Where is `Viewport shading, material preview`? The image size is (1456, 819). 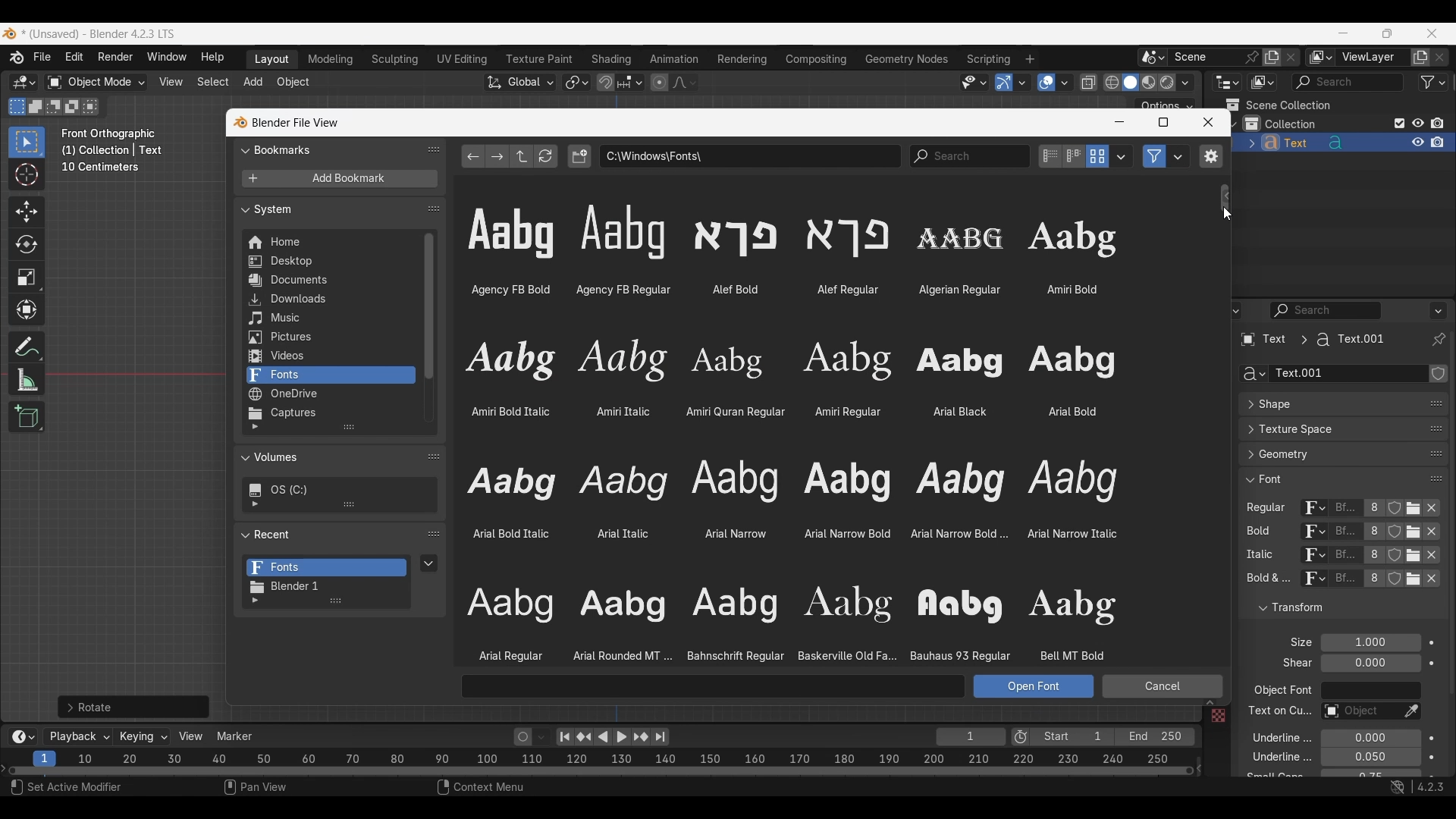
Viewport shading, material preview is located at coordinates (1148, 82).